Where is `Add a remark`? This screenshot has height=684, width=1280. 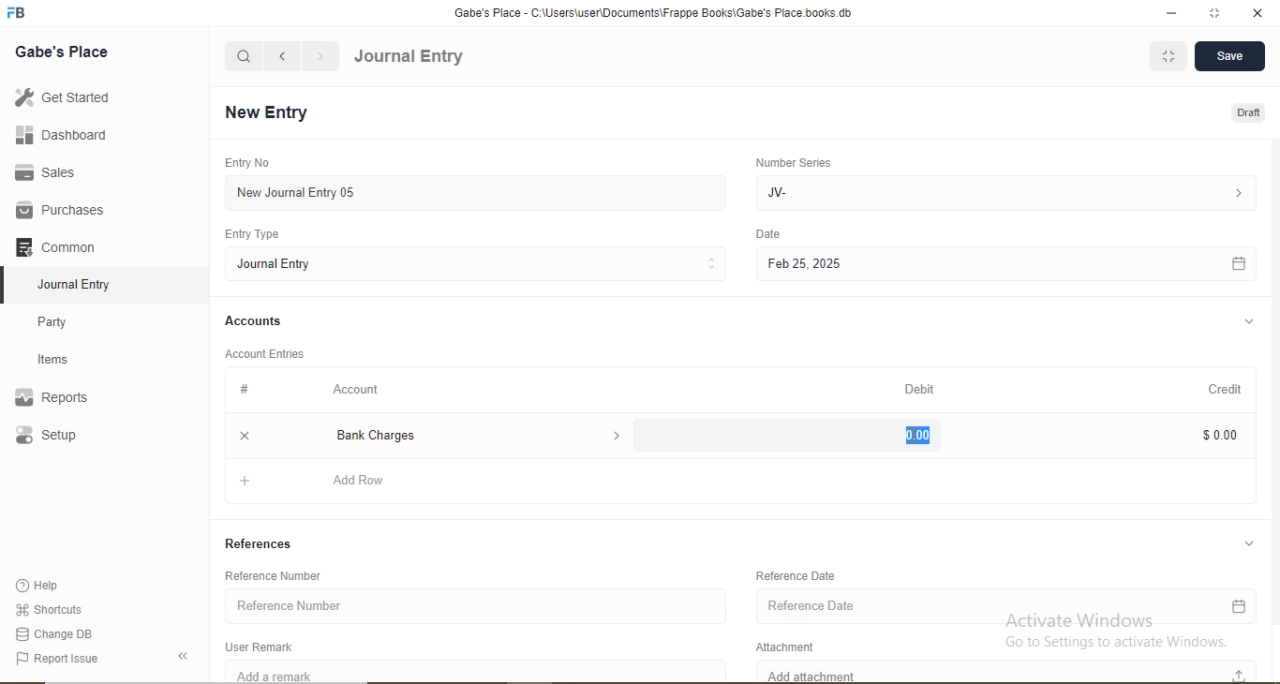
Add a remark is located at coordinates (476, 671).